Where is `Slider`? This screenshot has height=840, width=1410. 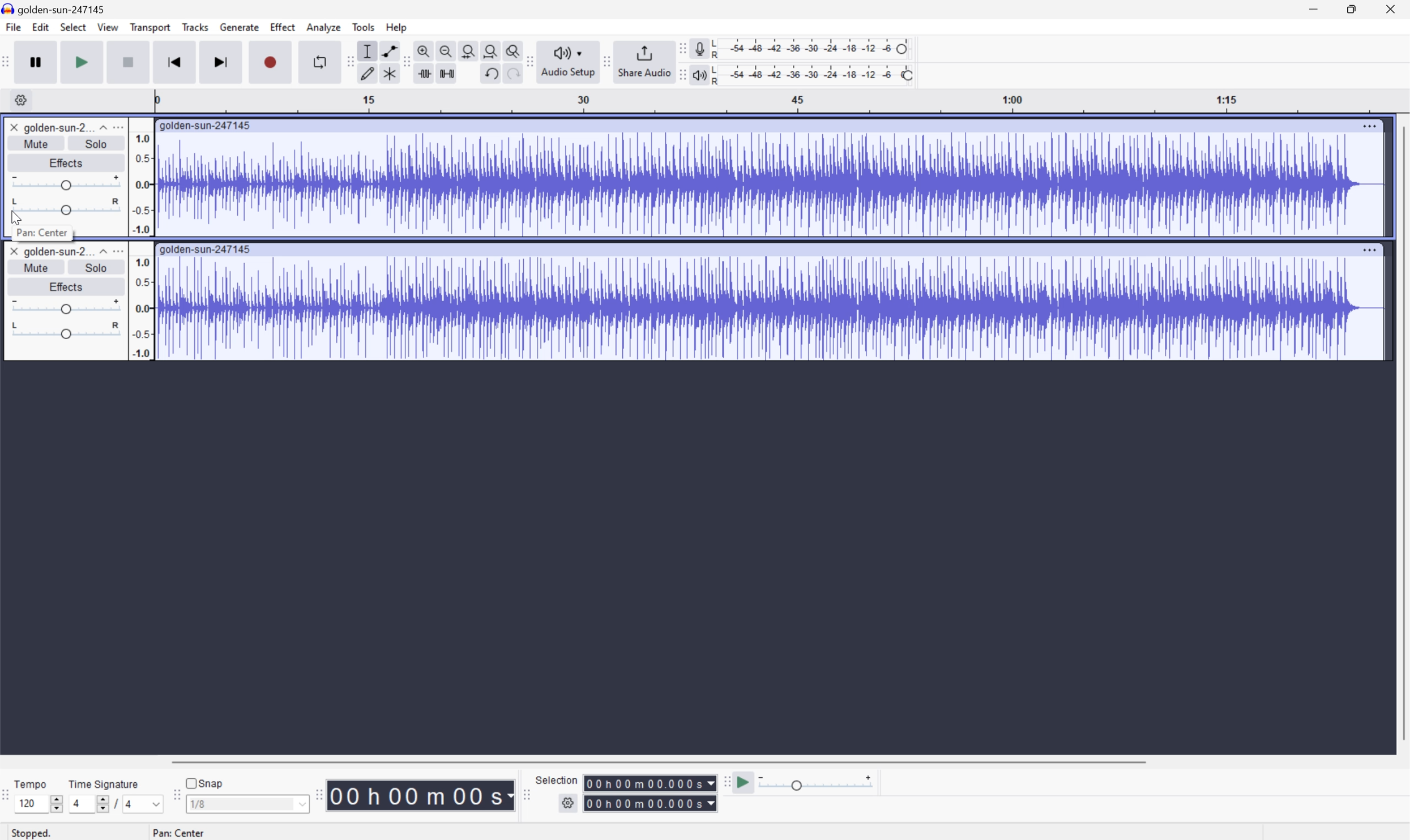 Slider is located at coordinates (65, 207).